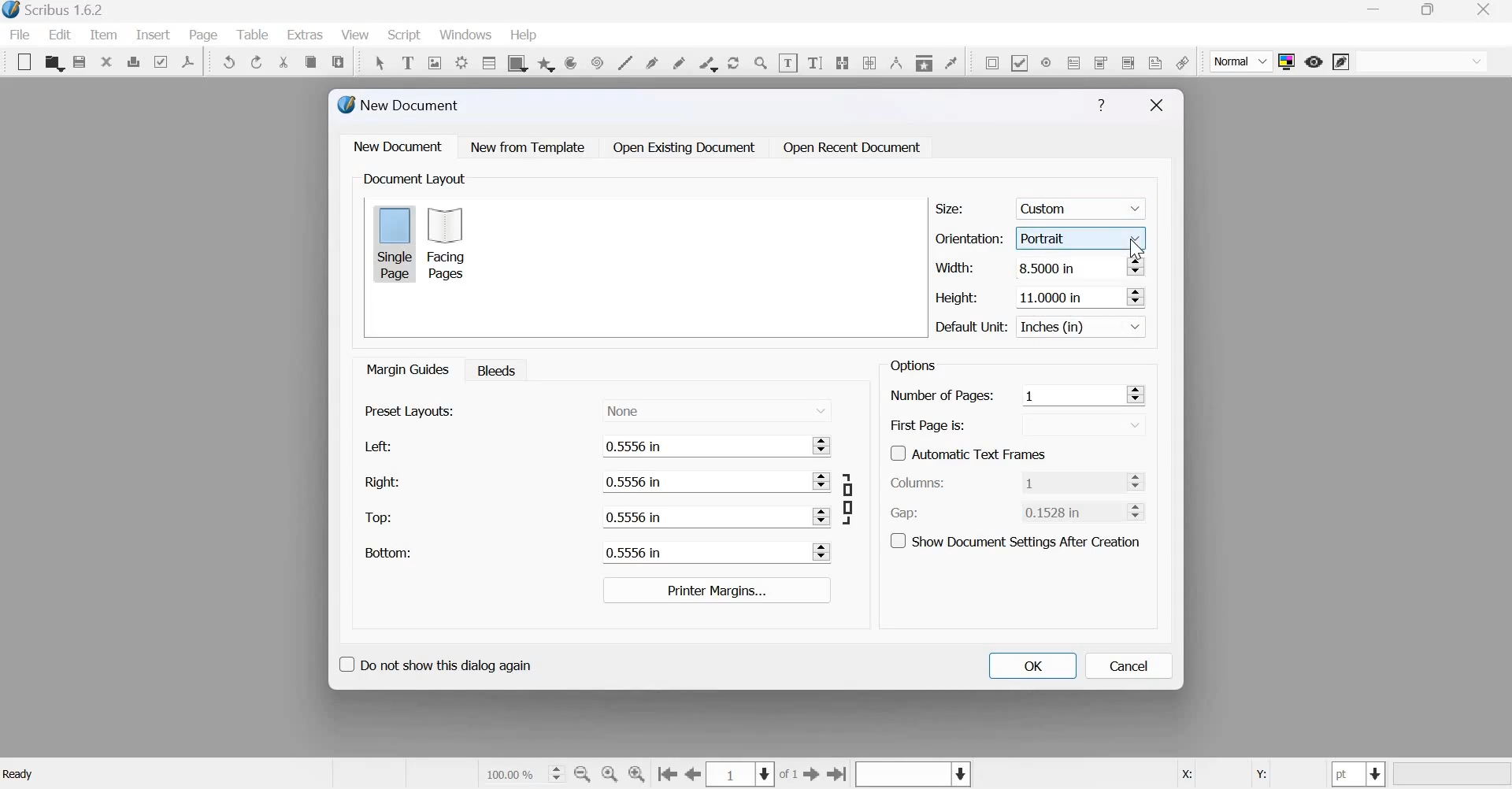 The image size is (1512, 789). Describe the element at coordinates (667, 775) in the screenshot. I see `Go to the first page` at that location.